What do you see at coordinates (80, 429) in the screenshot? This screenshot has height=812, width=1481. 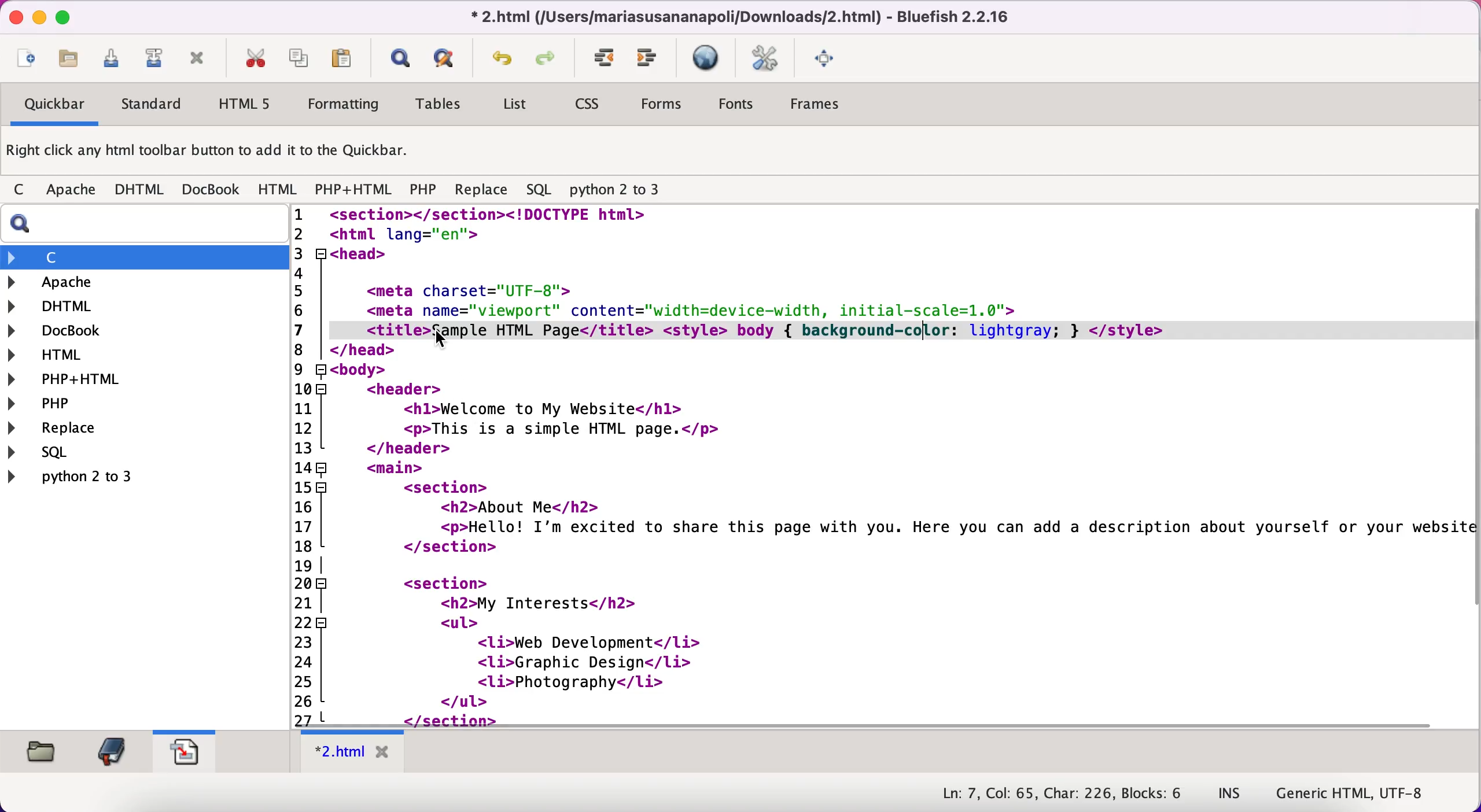 I see `replace` at bounding box center [80, 429].